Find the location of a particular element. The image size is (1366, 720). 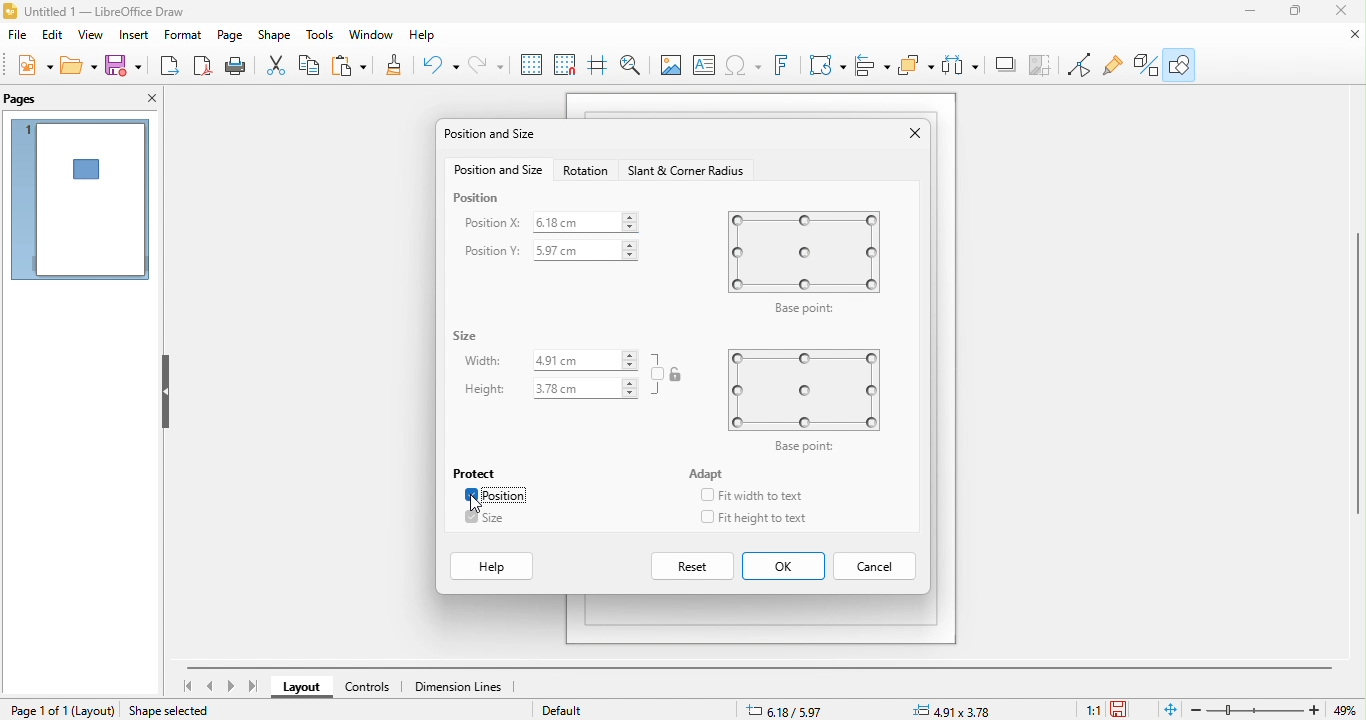

close is located at coordinates (911, 135).